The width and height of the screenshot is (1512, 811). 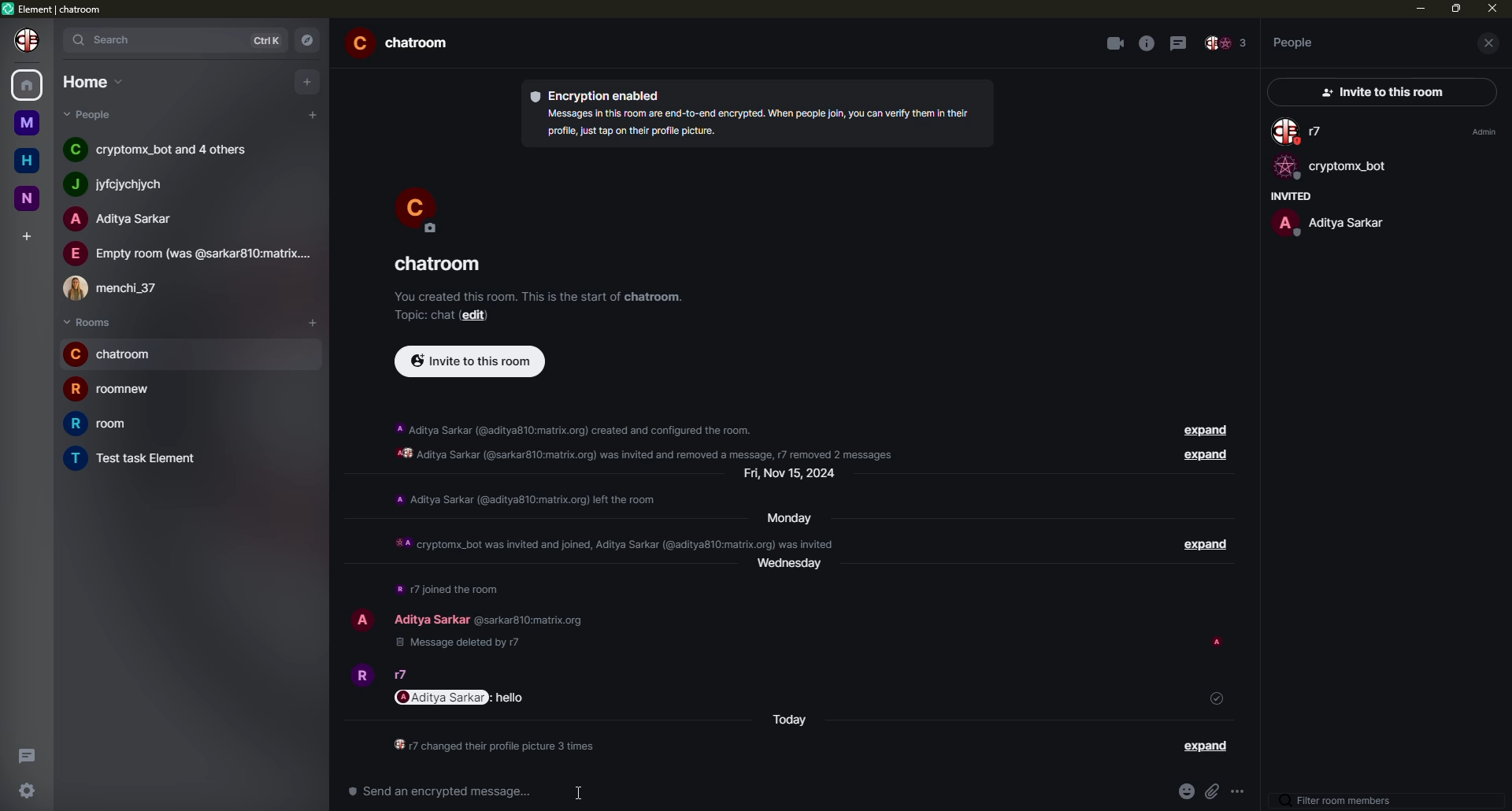 I want to click on day, so click(x=795, y=570).